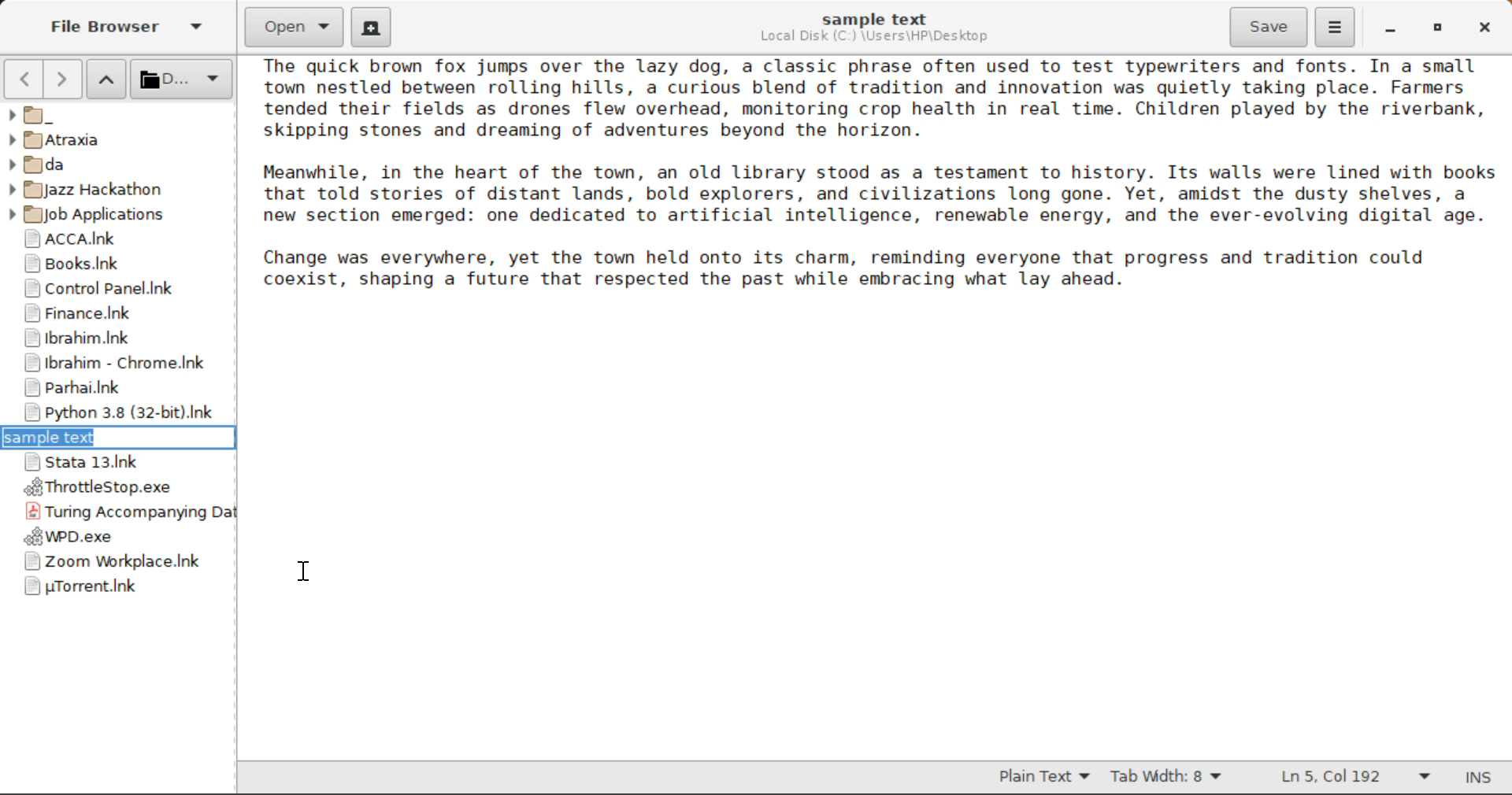 This screenshot has width=1512, height=795. What do you see at coordinates (1045, 776) in the screenshot?
I see `Selected Text Format` at bounding box center [1045, 776].